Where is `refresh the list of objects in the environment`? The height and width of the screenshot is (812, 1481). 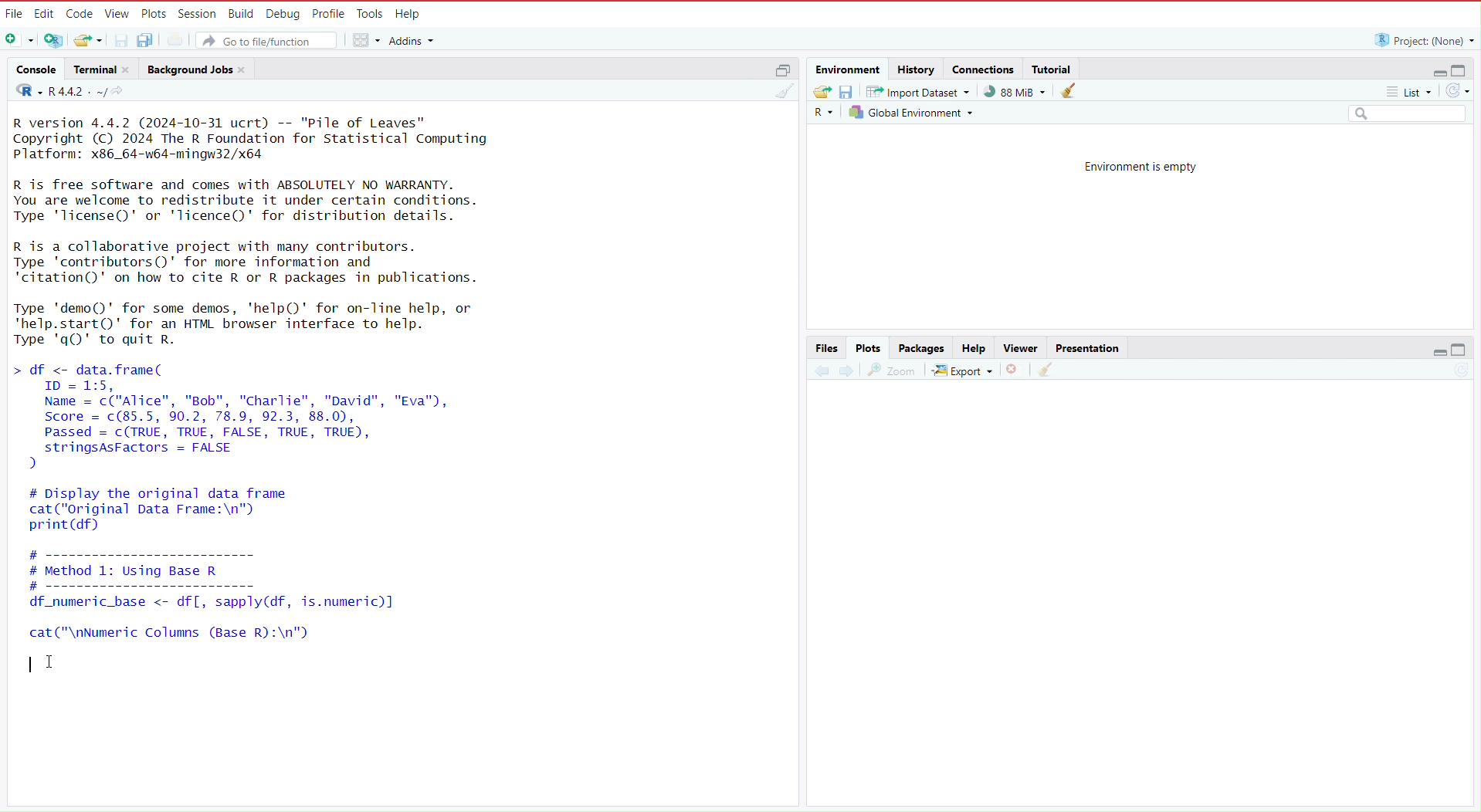
refresh the list of objects in the environment is located at coordinates (1462, 91).